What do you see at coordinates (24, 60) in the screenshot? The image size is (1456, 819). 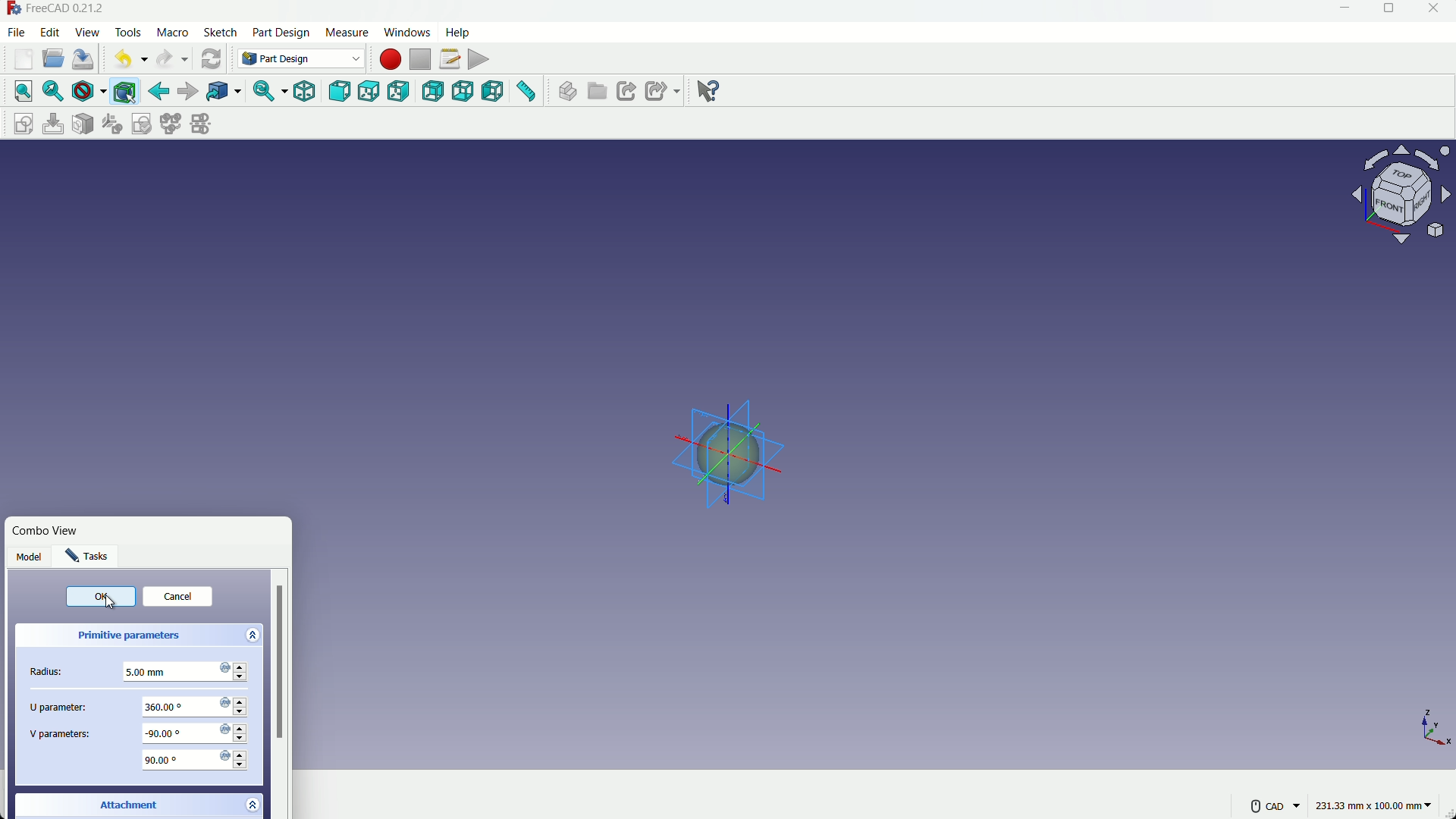 I see `new file` at bounding box center [24, 60].